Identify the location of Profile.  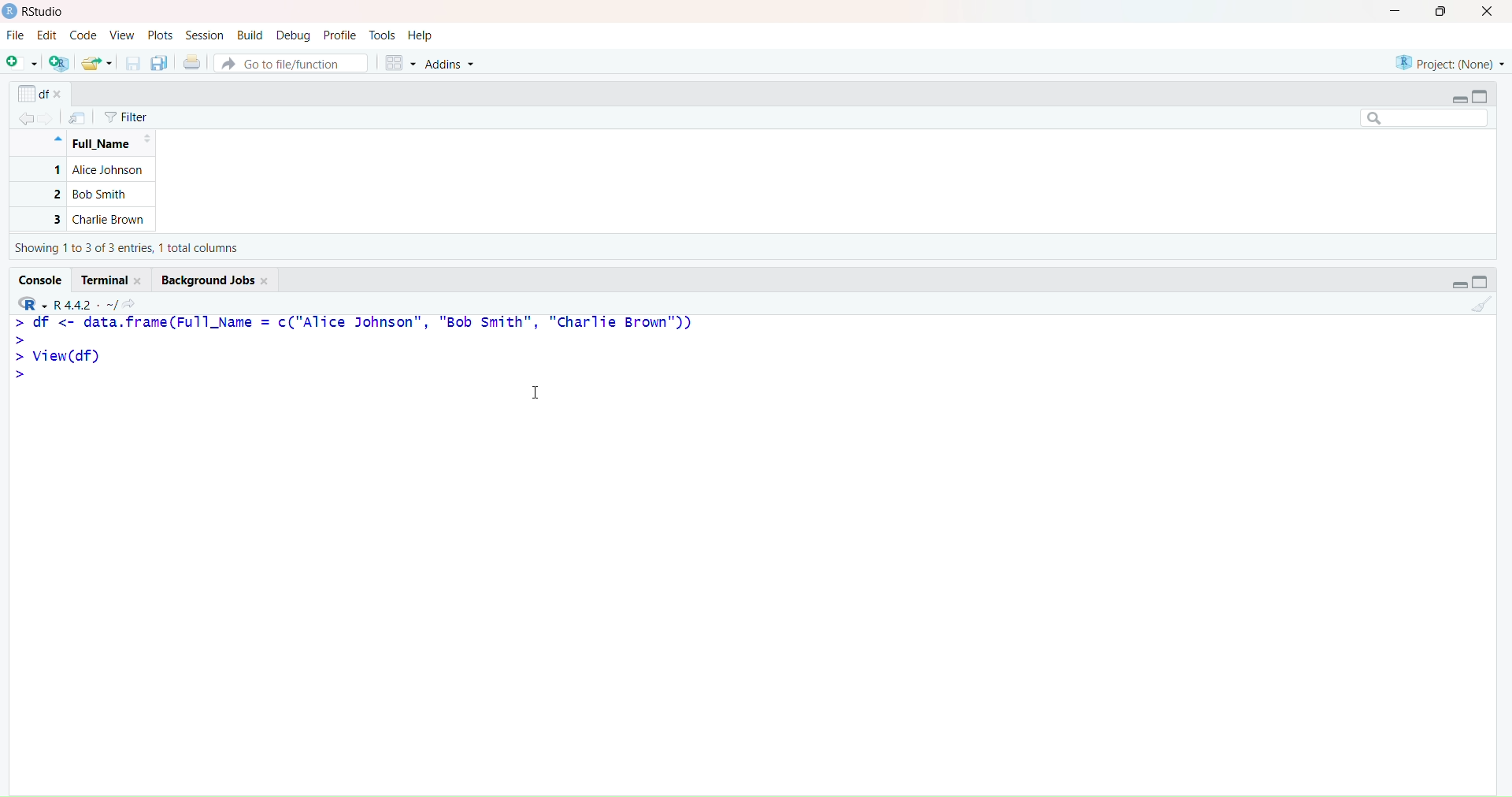
(340, 35).